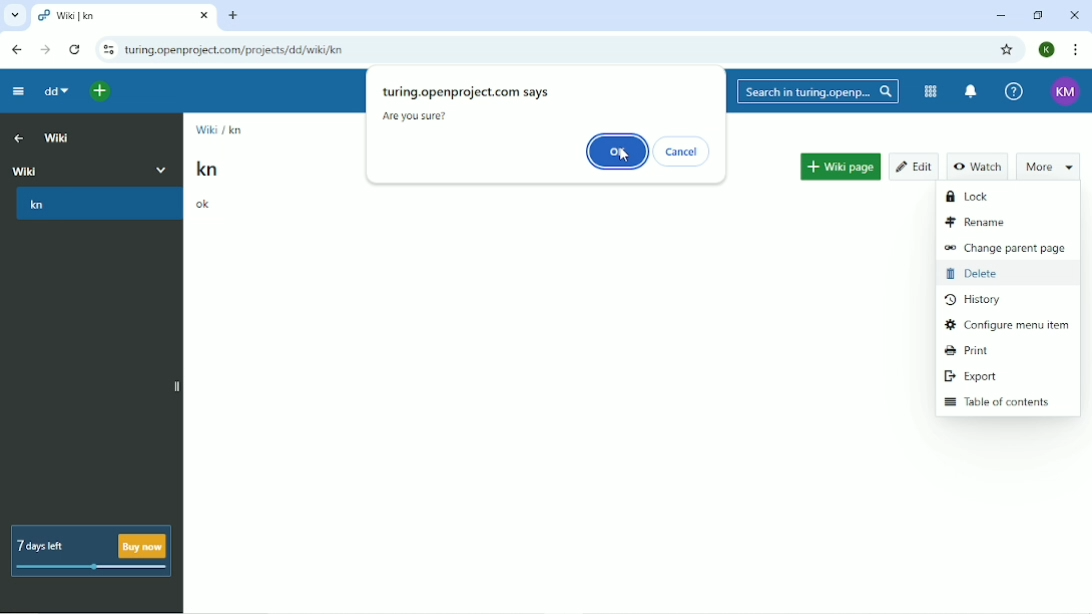 The height and width of the screenshot is (614, 1092). Describe the element at coordinates (88, 571) in the screenshot. I see `meter` at that location.